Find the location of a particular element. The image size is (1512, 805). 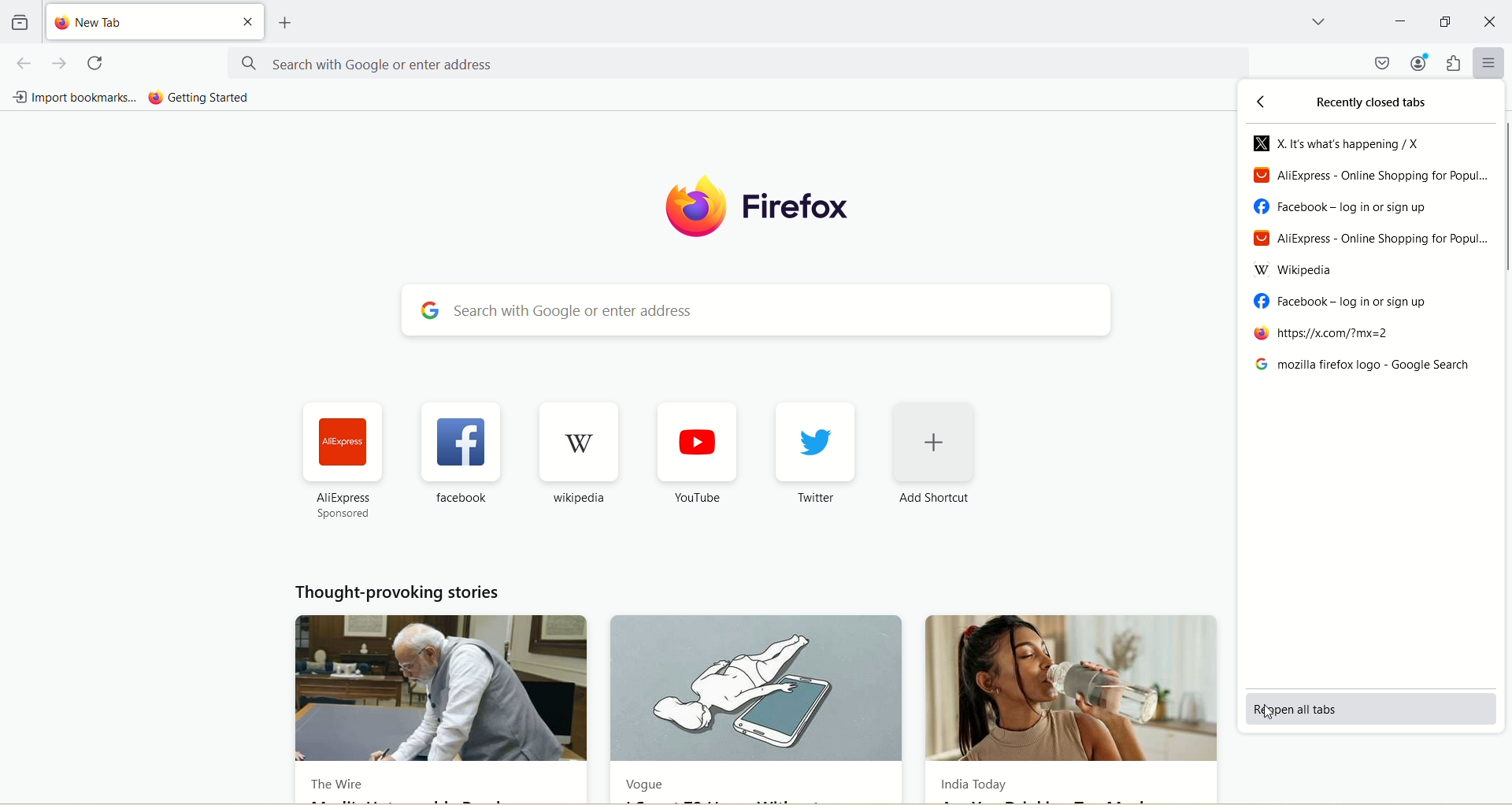

close is located at coordinates (248, 20).